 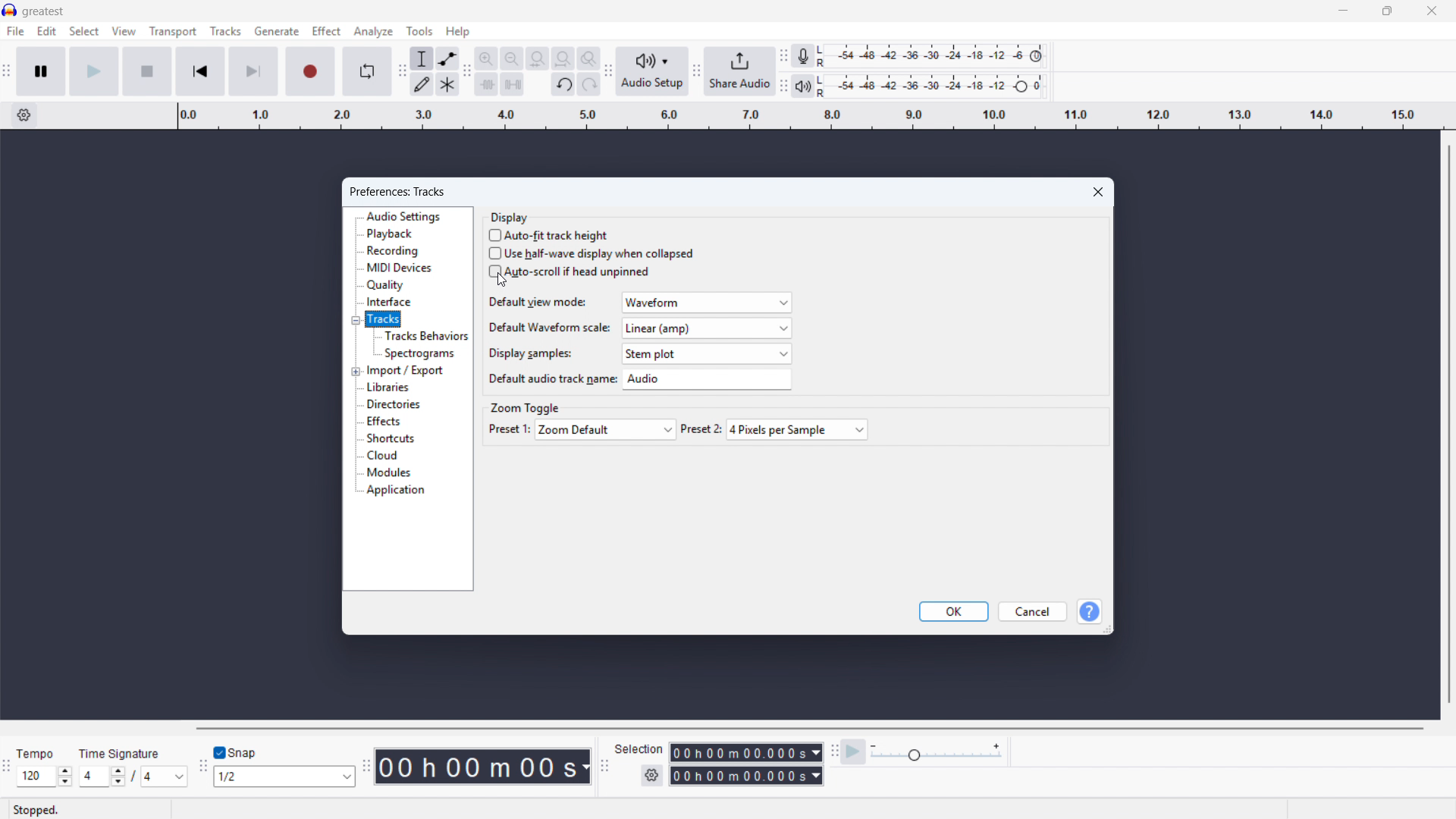 What do you see at coordinates (448, 58) in the screenshot?
I see `Envelope tool ` at bounding box center [448, 58].